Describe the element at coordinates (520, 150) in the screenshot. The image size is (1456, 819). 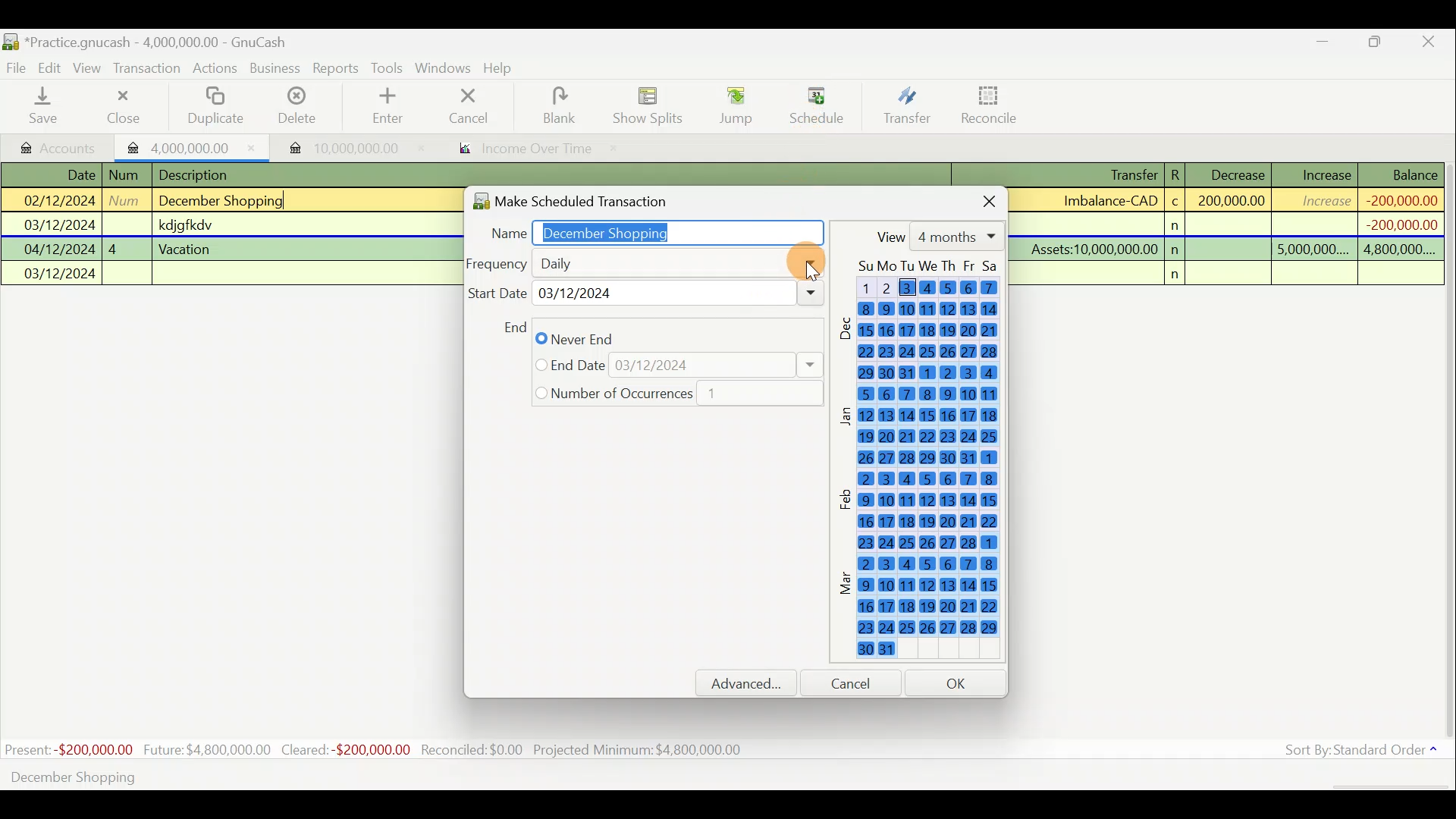
I see `Report` at that location.